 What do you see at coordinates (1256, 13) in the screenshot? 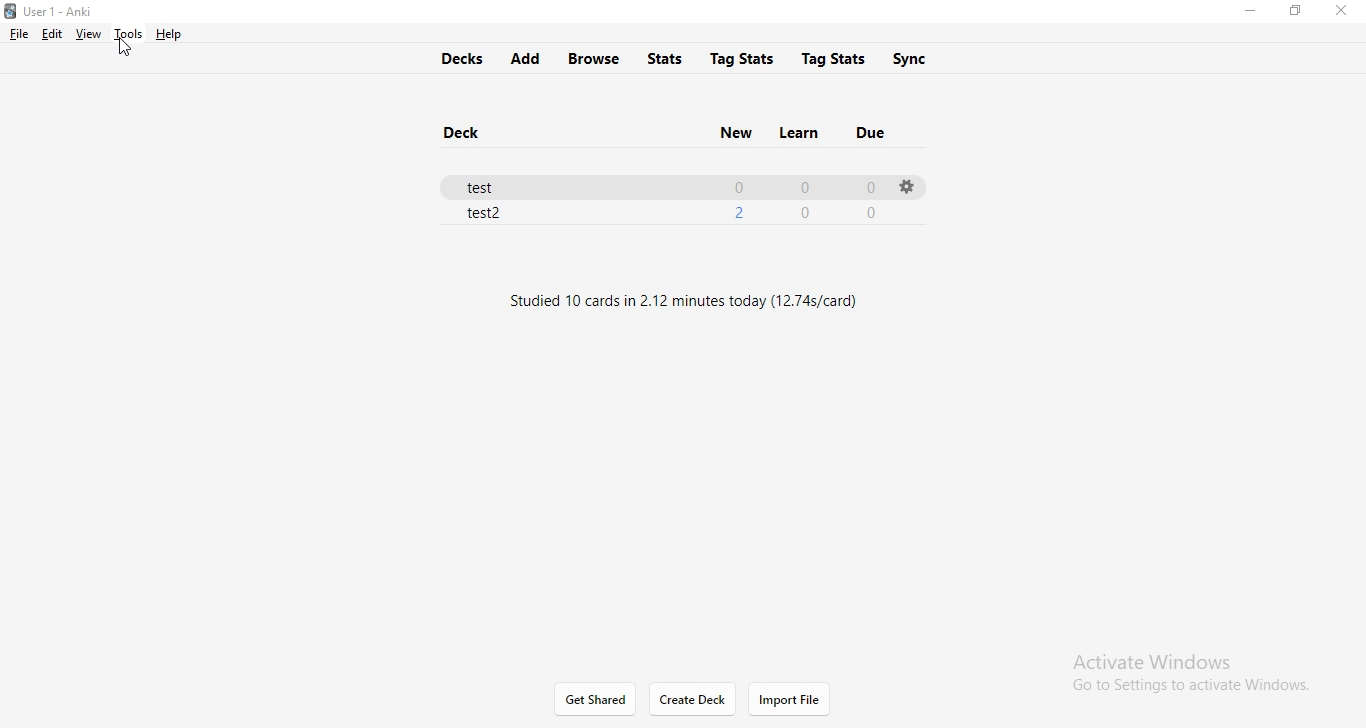
I see `minimise` at bounding box center [1256, 13].